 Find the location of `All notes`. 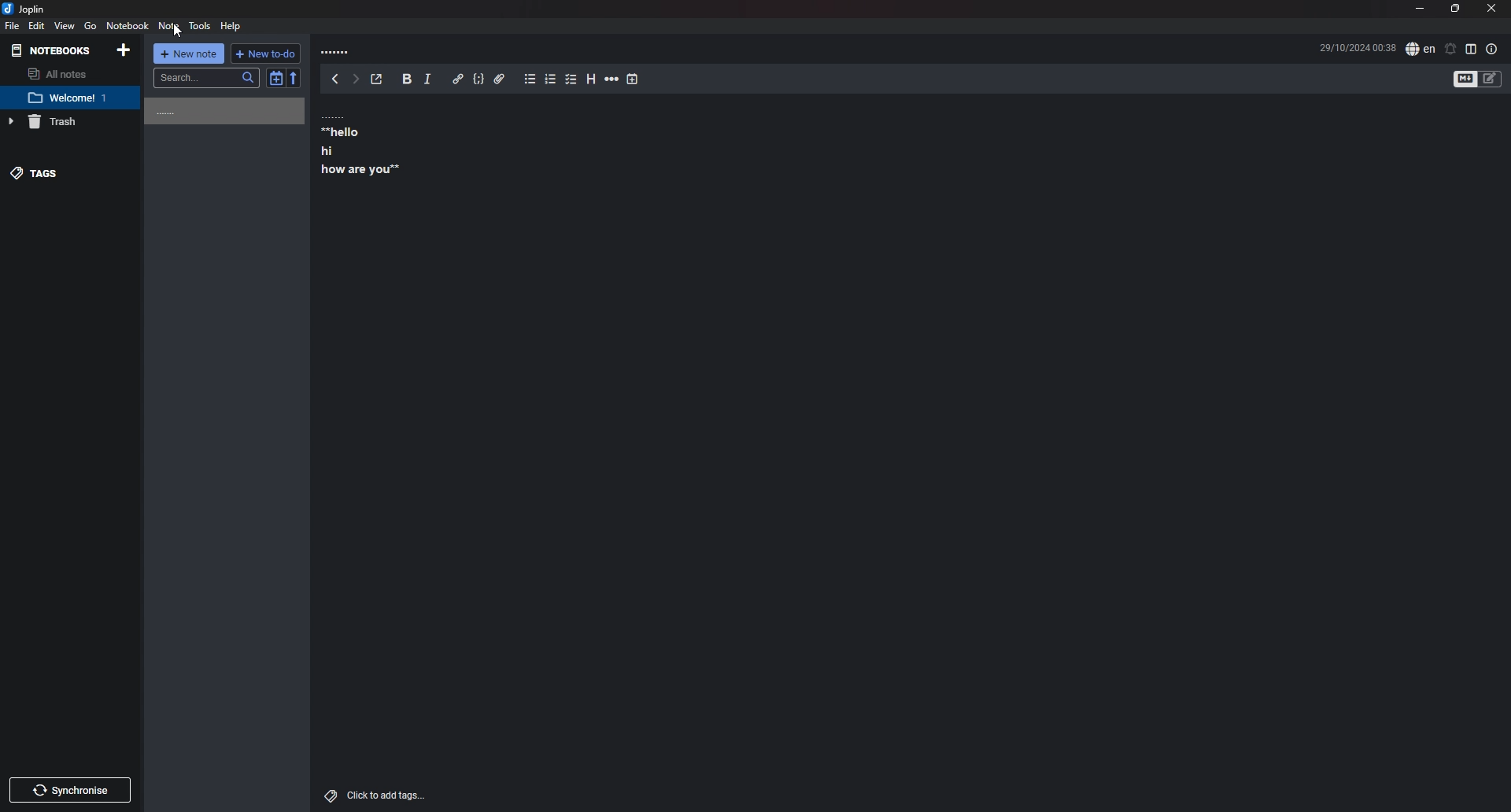

All notes is located at coordinates (62, 72).